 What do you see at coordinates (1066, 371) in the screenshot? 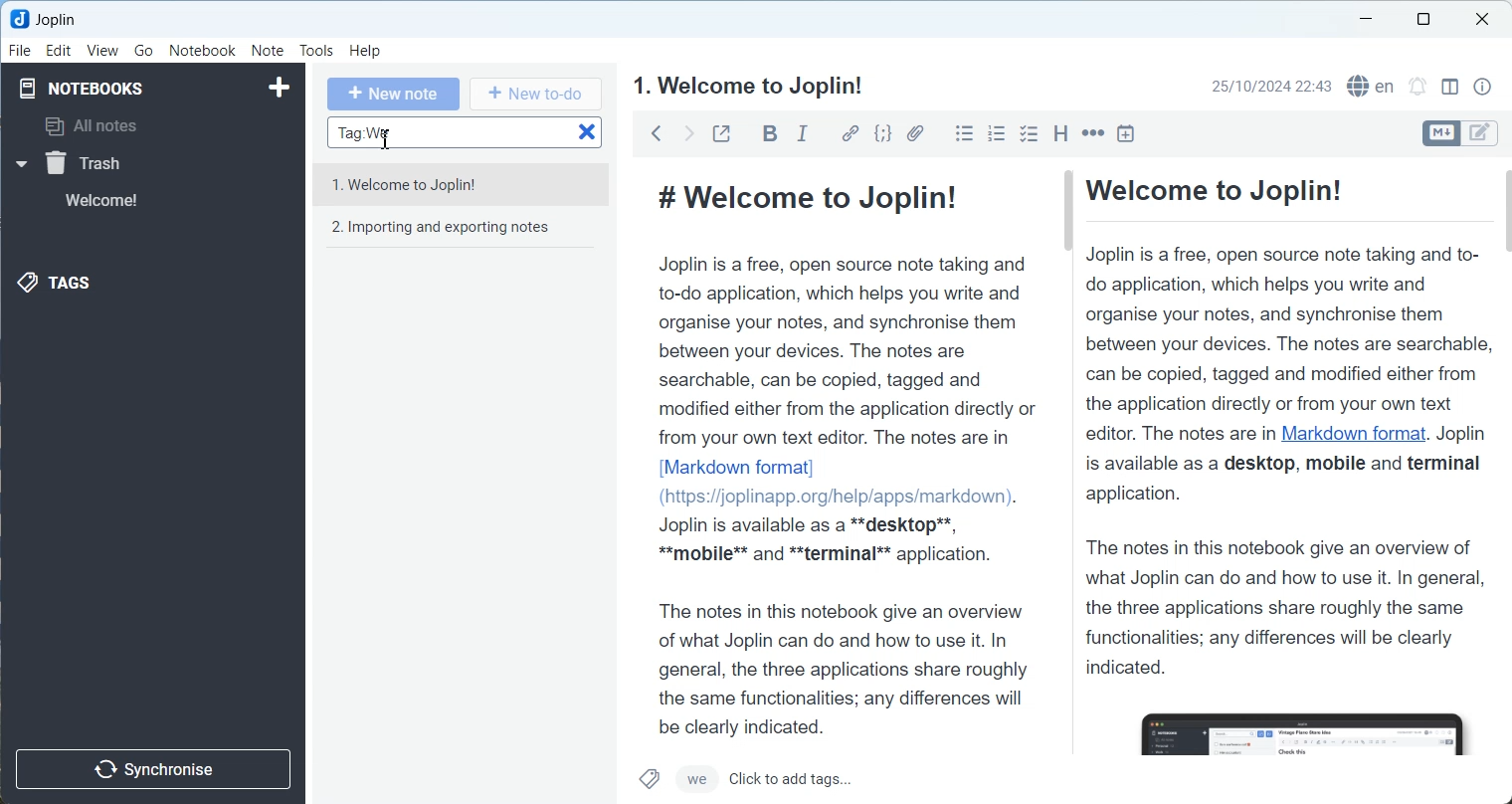
I see `Vertical ScrollBar` at bounding box center [1066, 371].